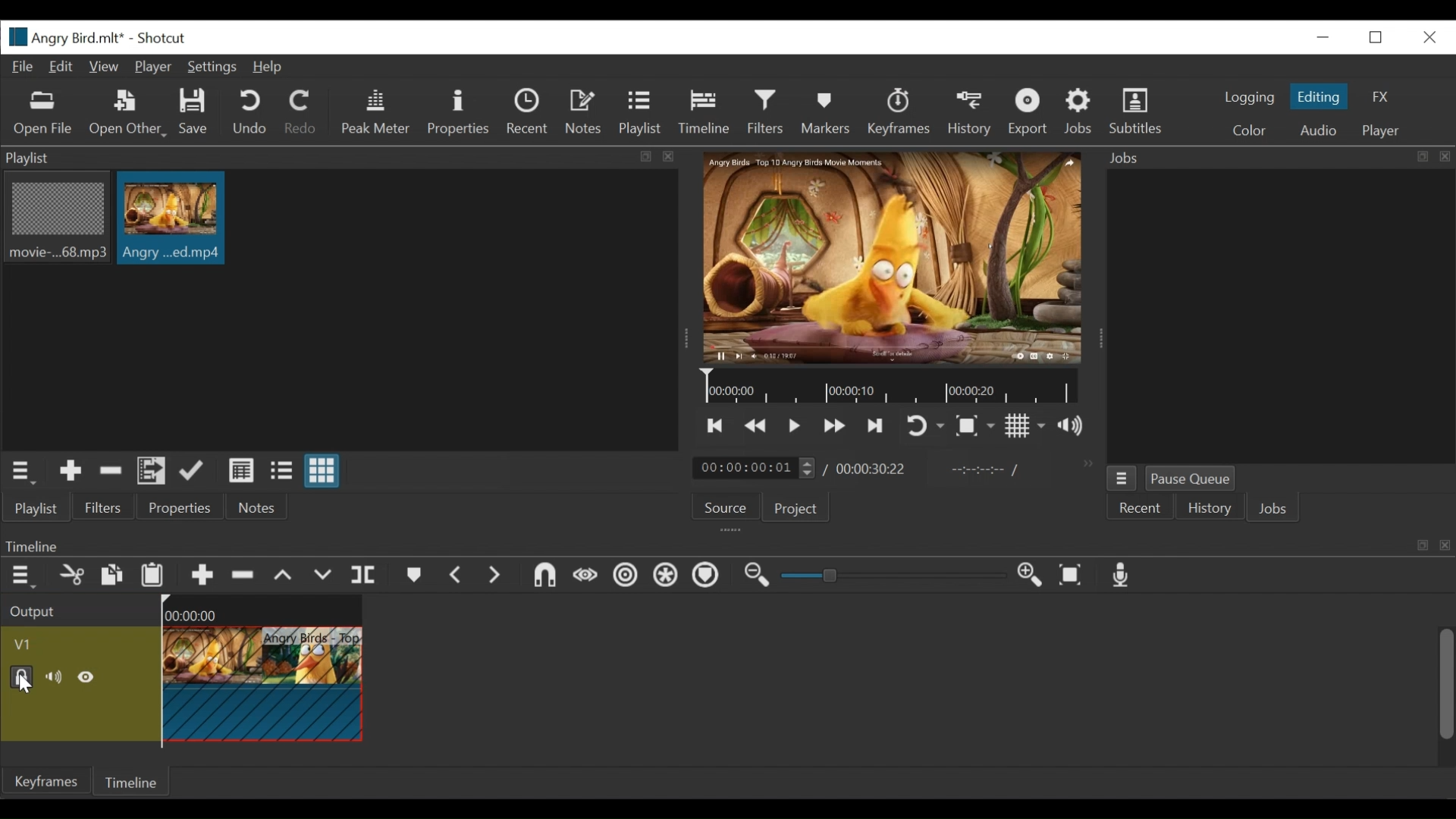 This screenshot has height=819, width=1456. I want to click on Ripple, so click(626, 578).